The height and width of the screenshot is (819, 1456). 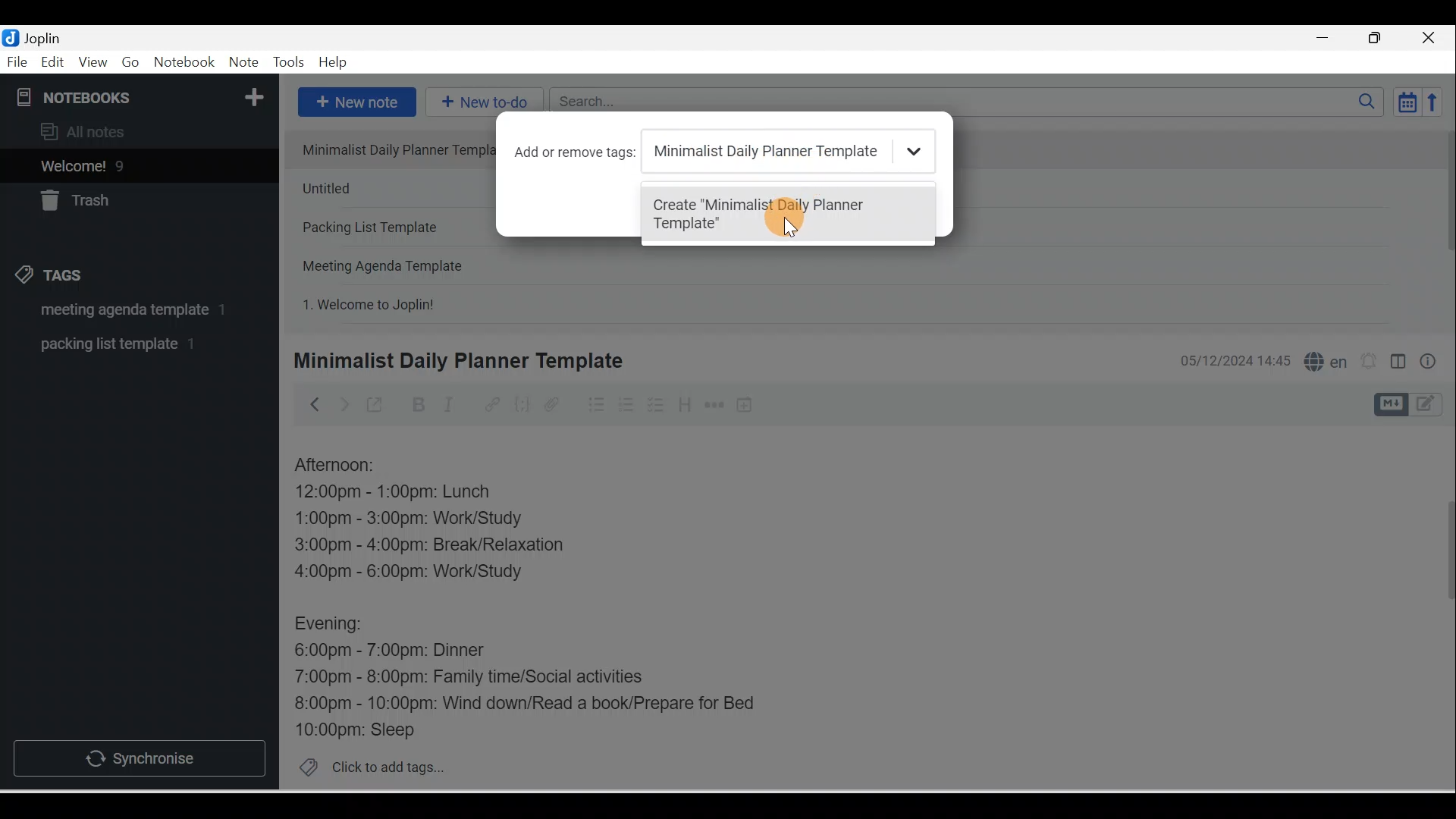 What do you see at coordinates (1407, 101) in the screenshot?
I see `Toggle sort order` at bounding box center [1407, 101].